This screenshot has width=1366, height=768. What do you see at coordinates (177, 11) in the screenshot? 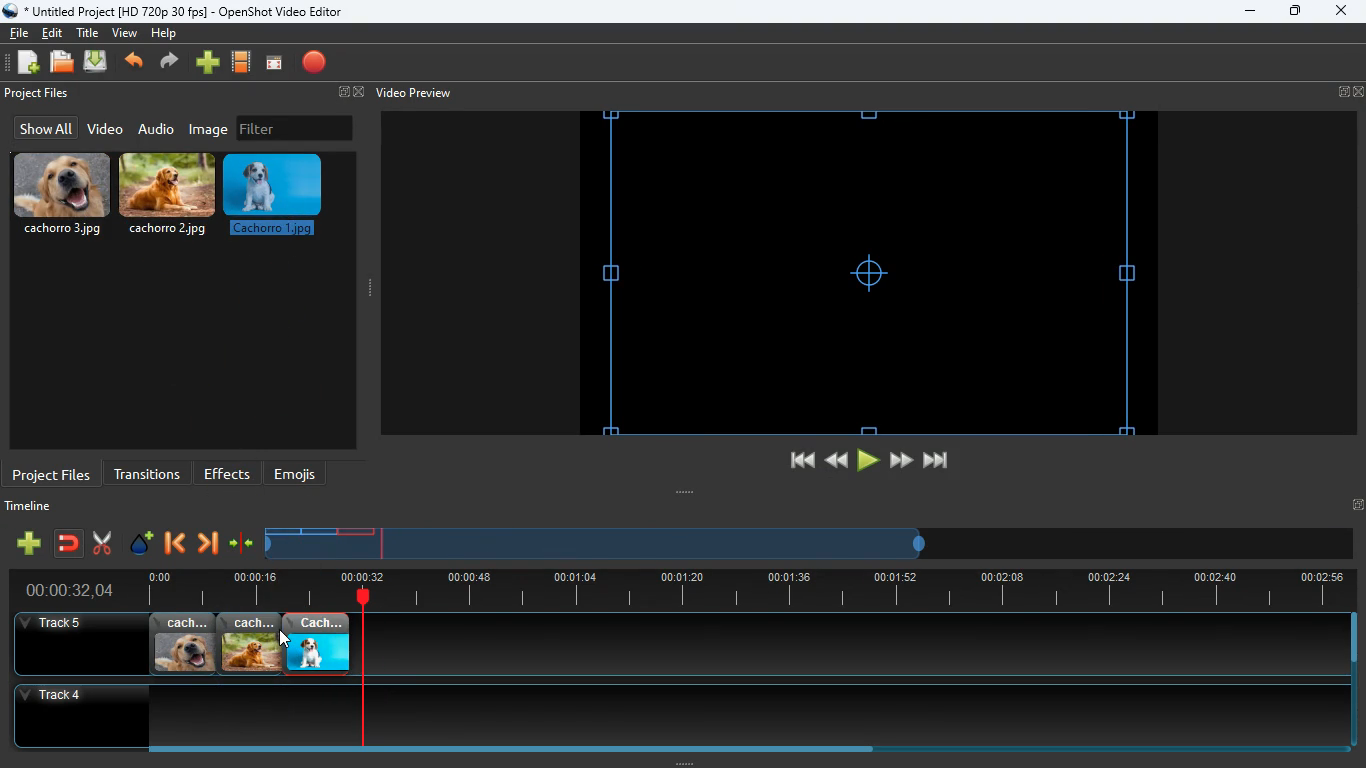
I see `* Untitled Project [HD 720p 30 fps] - OpenShot Video Editor` at bounding box center [177, 11].